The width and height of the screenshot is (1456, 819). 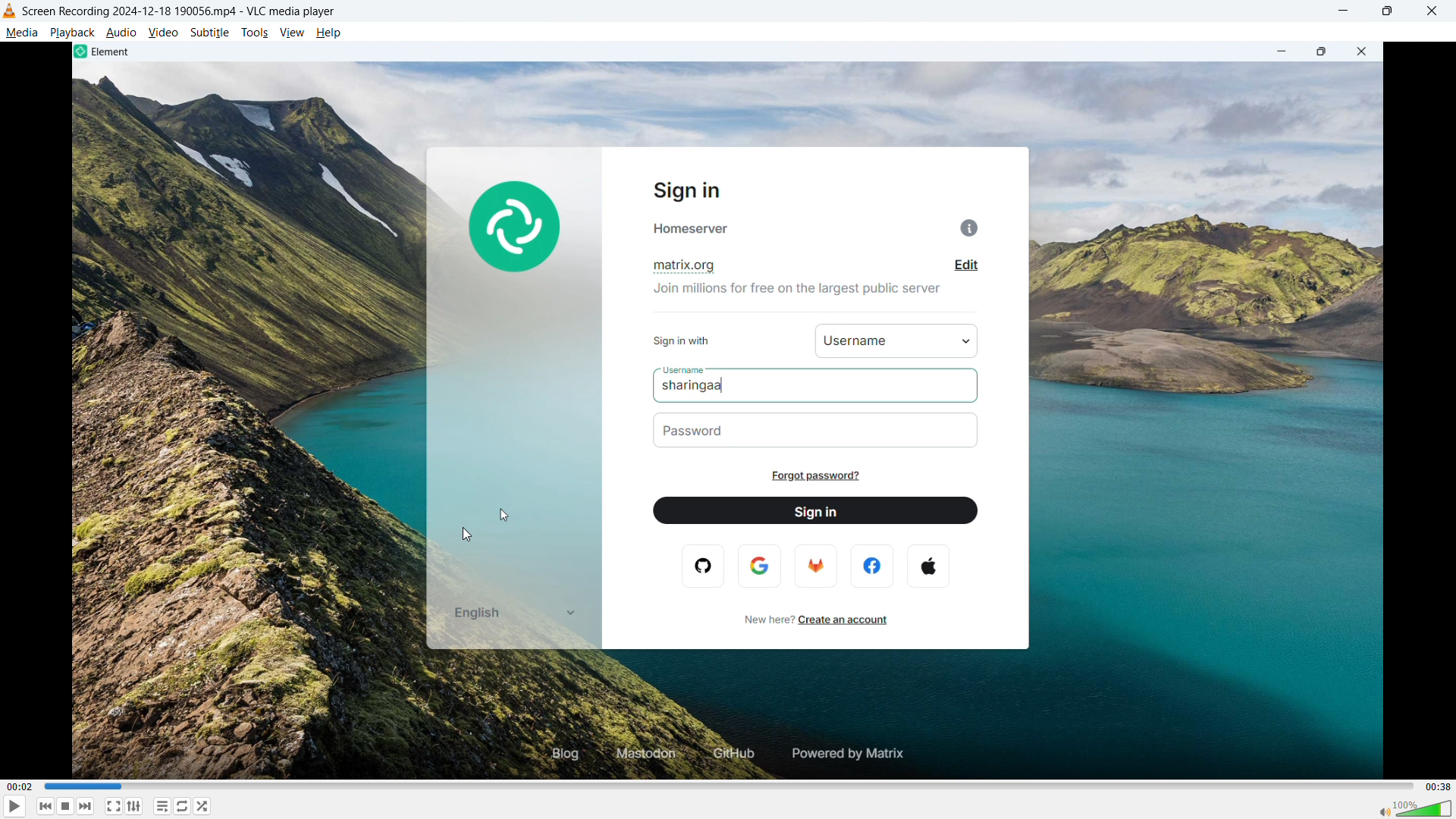 What do you see at coordinates (817, 566) in the screenshot?
I see `GitLab` at bounding box center [817, 566].